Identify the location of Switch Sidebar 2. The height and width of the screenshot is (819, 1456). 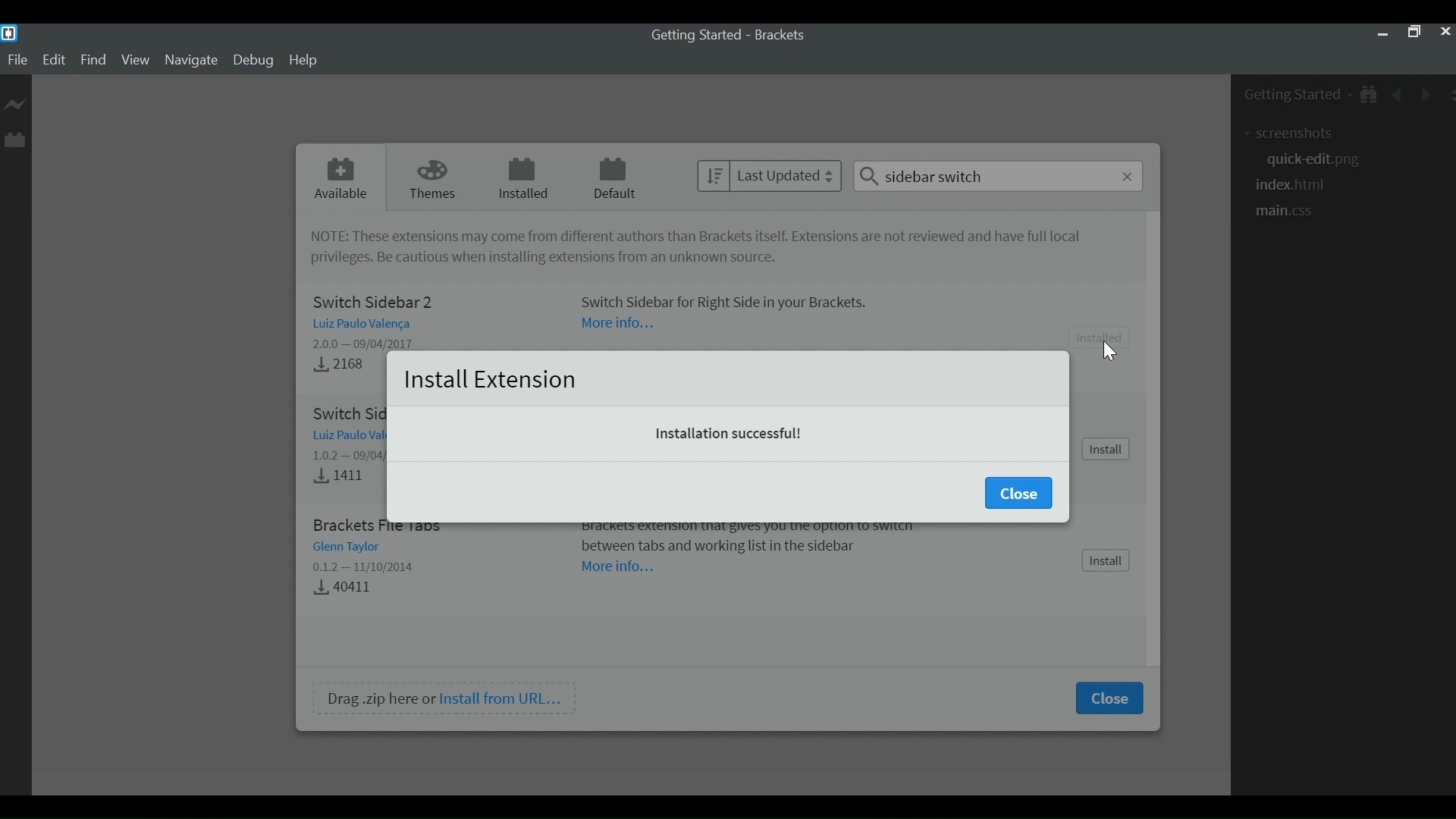
(381, 300).